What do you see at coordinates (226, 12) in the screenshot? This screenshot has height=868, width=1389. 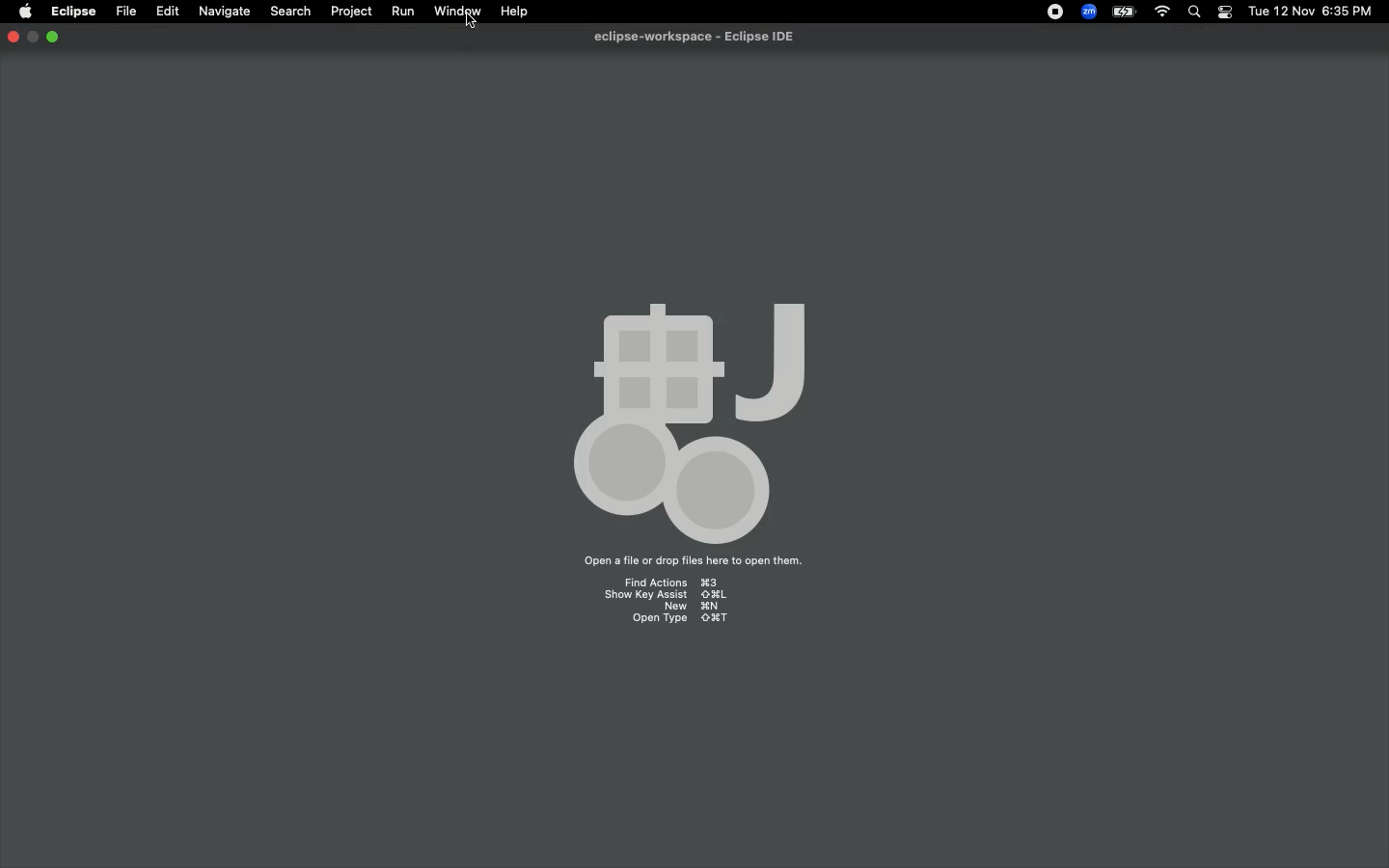 I see `Navigate` at bounding box center [226, 12].